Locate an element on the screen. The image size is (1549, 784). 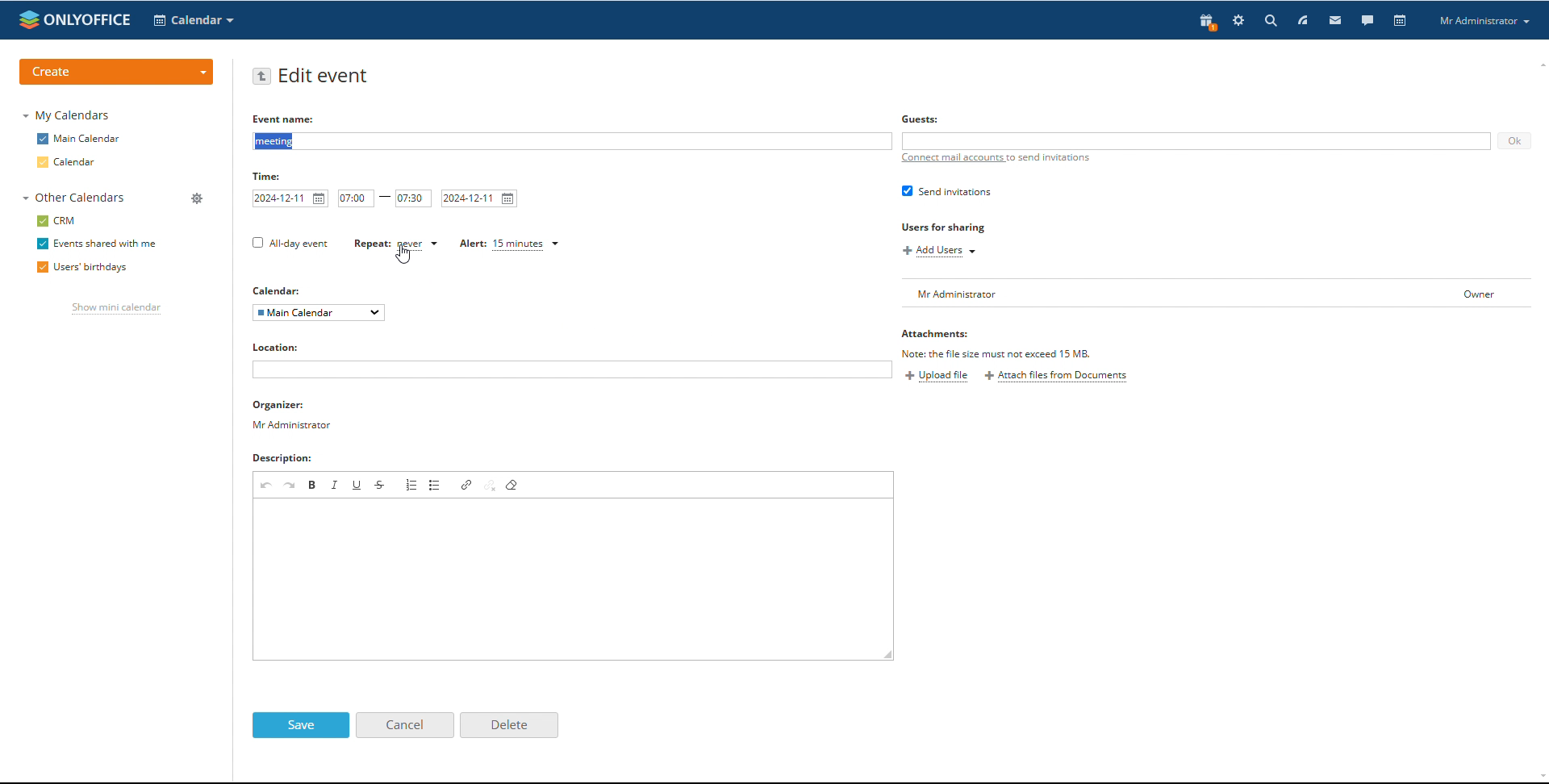
connect mail accounts is located at coordinates (997, 157).